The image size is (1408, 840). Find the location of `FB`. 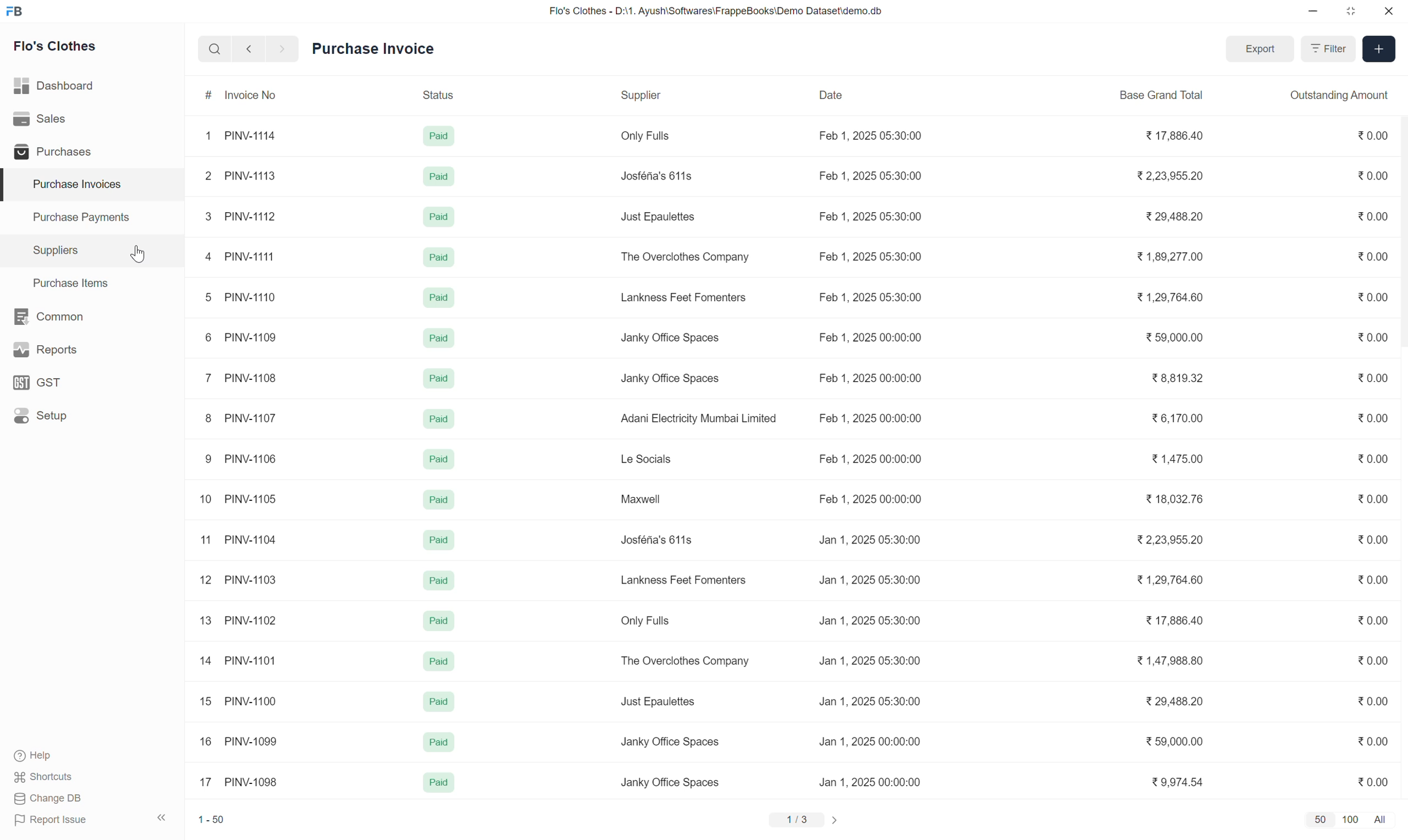

FB is located at coordinates (14, 12).